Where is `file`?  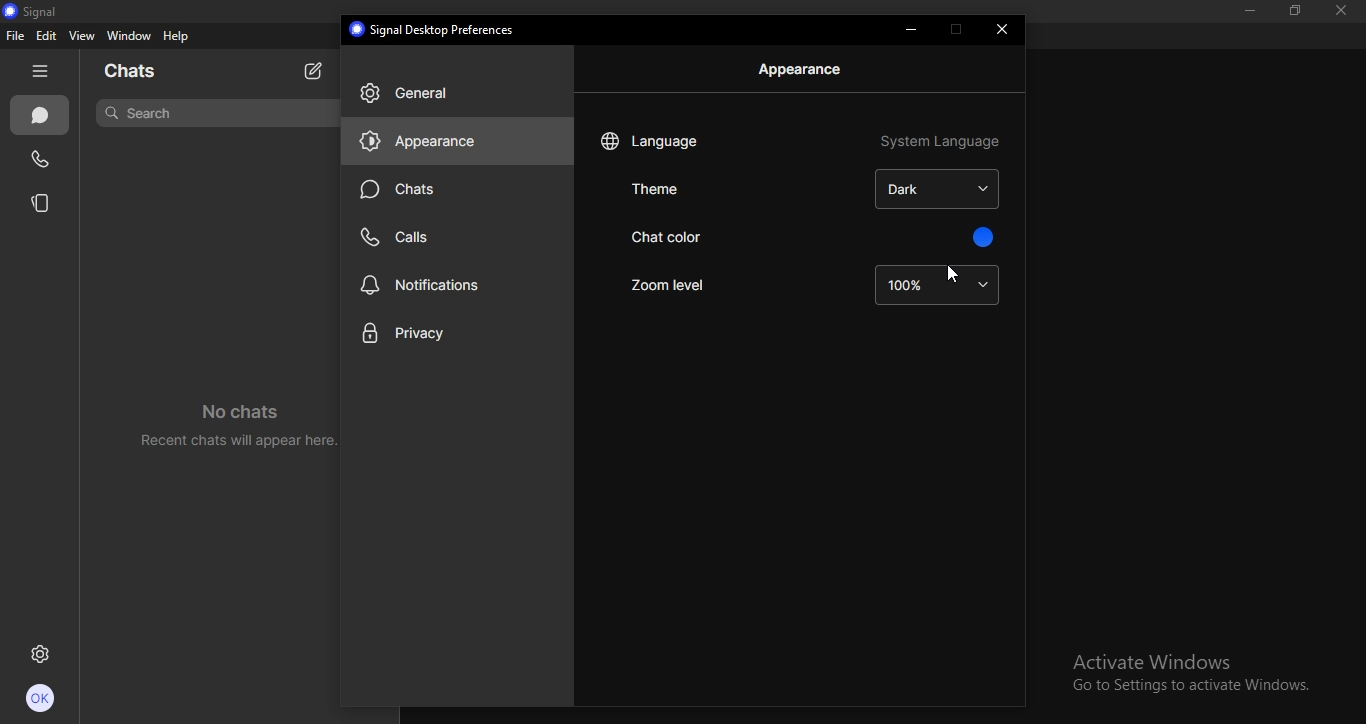 file is located at coordinates (16, 37).